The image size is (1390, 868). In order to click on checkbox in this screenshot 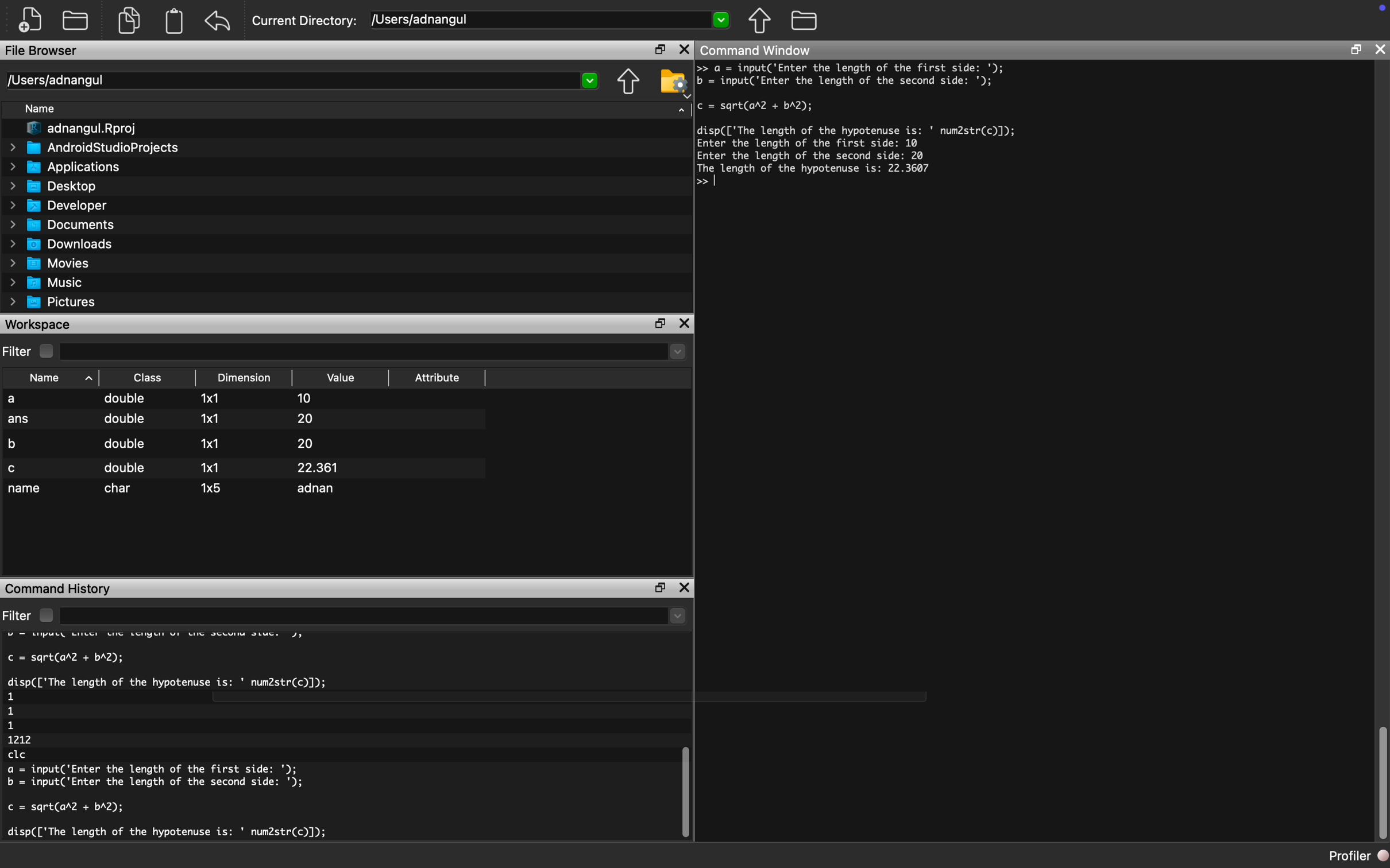, I will do `click(45, 615)`.